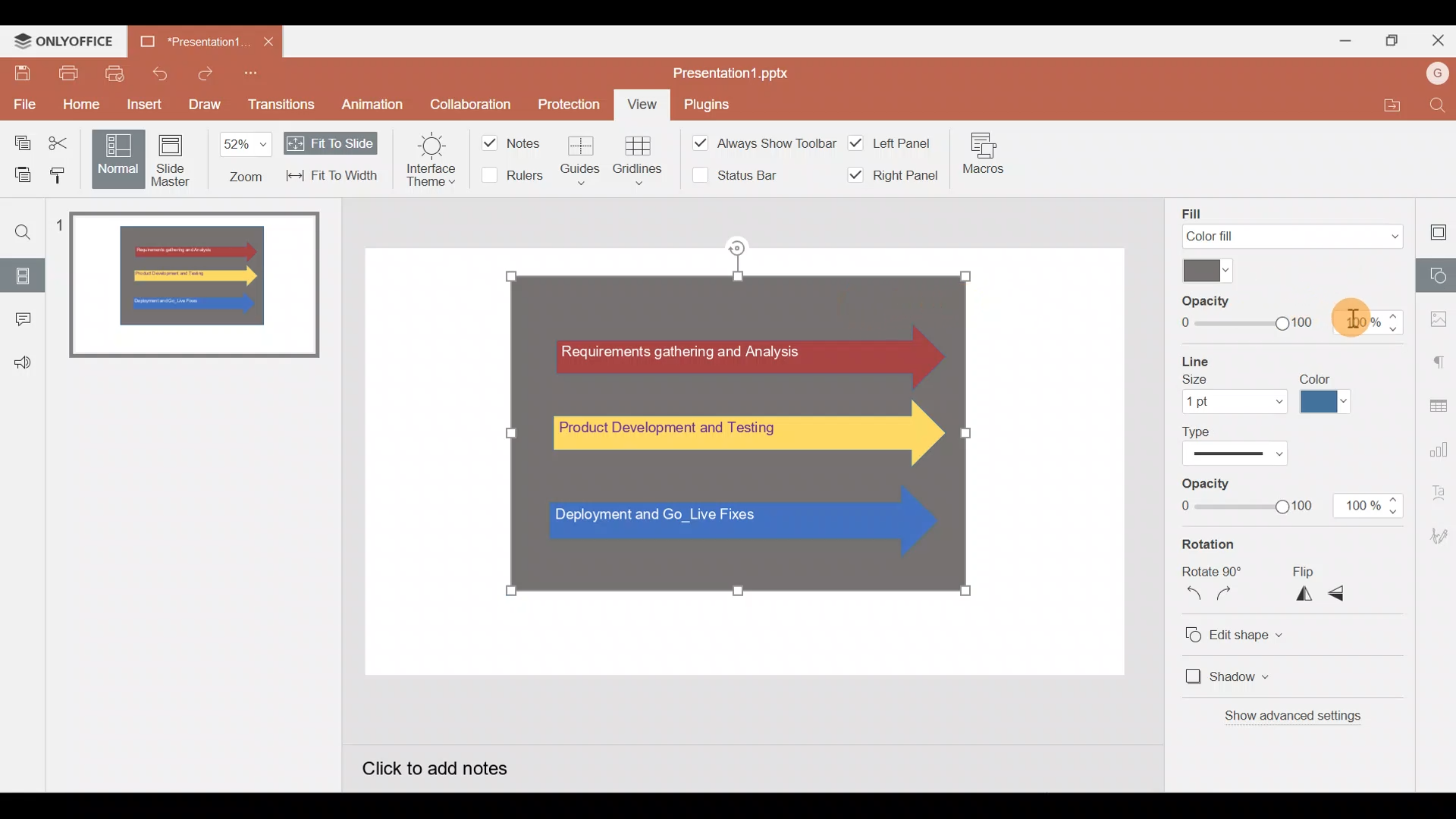  I want to click on Signature settings, so click(1437, 535).